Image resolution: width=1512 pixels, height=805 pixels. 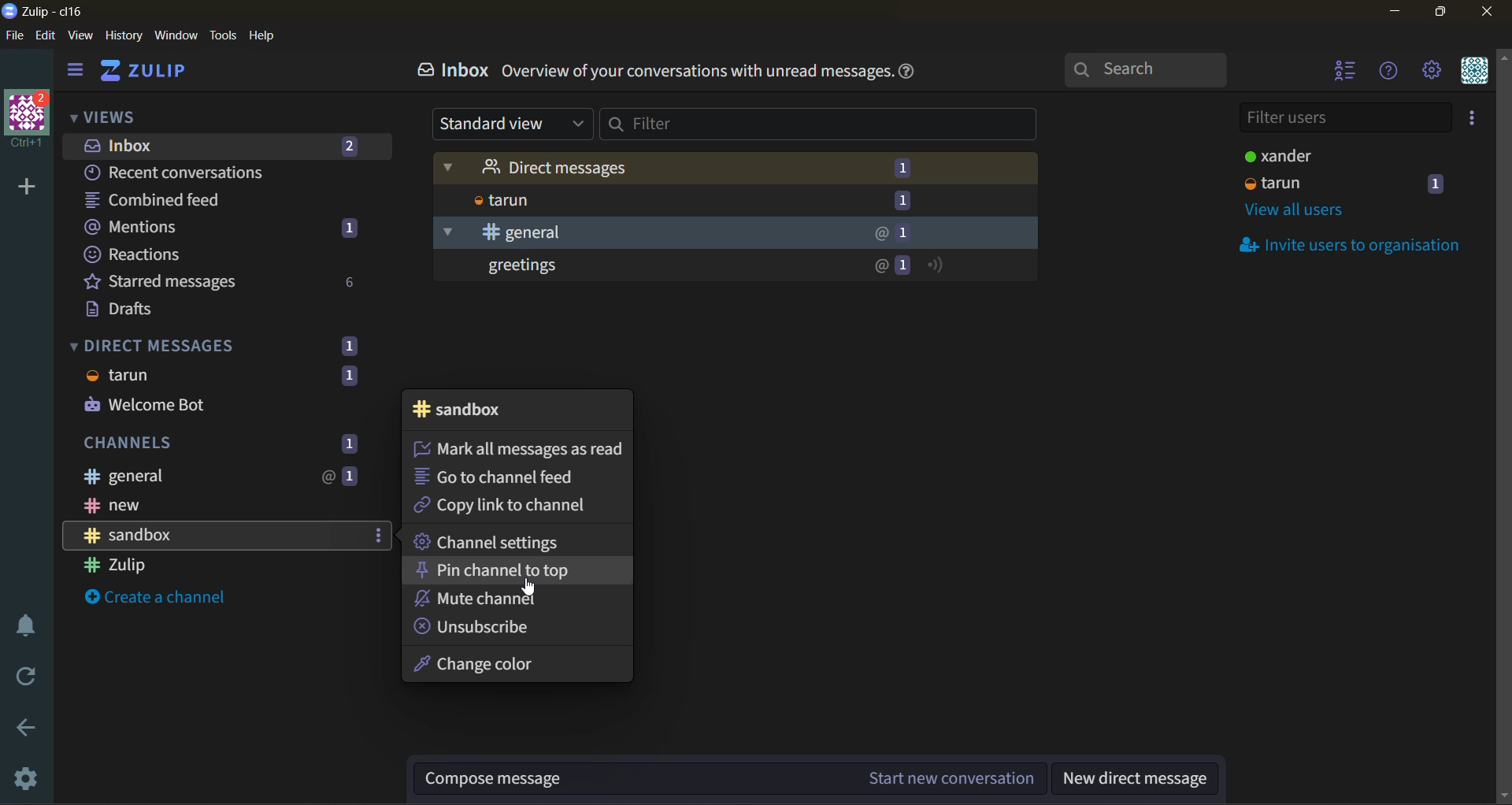 I want to click on change color, so click(x=487, y=666).